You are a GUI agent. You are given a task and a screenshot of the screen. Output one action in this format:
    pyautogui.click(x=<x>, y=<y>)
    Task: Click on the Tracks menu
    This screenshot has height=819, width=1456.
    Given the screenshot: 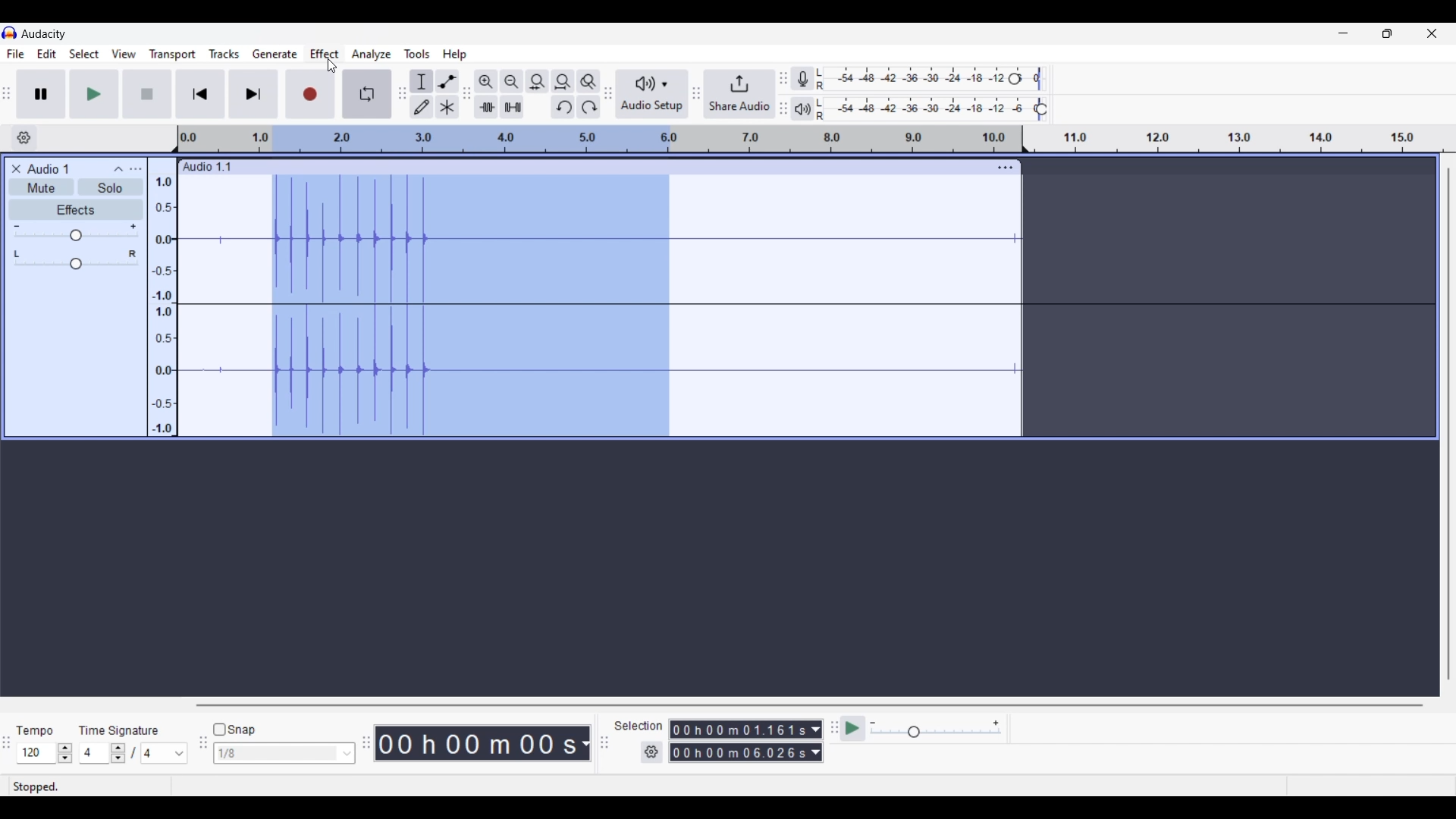 What is the action you would take?
    pyautogui.click(x=224, y=54)
    